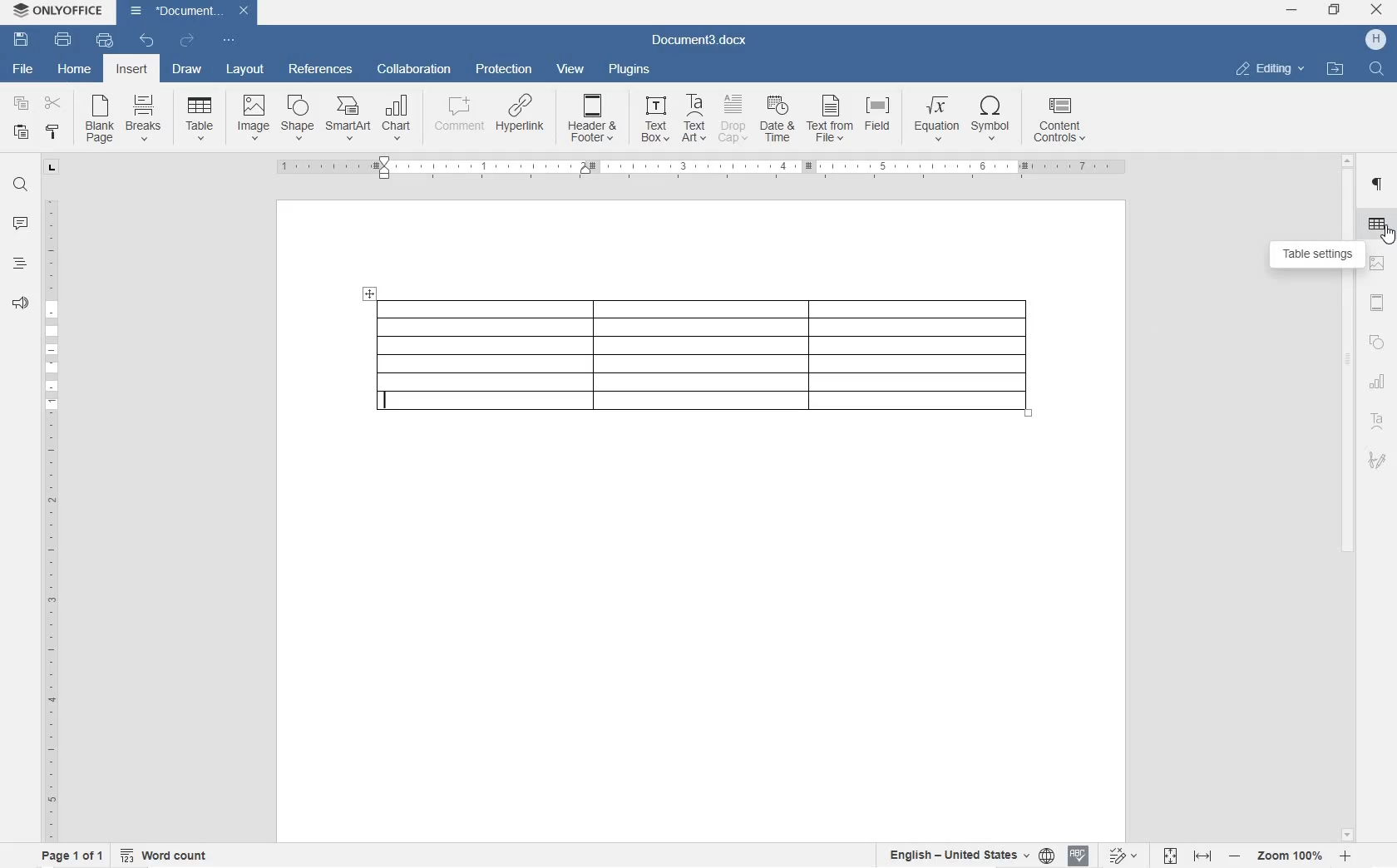 Image resolution: width=1397 pixels, height=868 pixels. I want to click on PAGE 1 OF 1, so click(72, 856).